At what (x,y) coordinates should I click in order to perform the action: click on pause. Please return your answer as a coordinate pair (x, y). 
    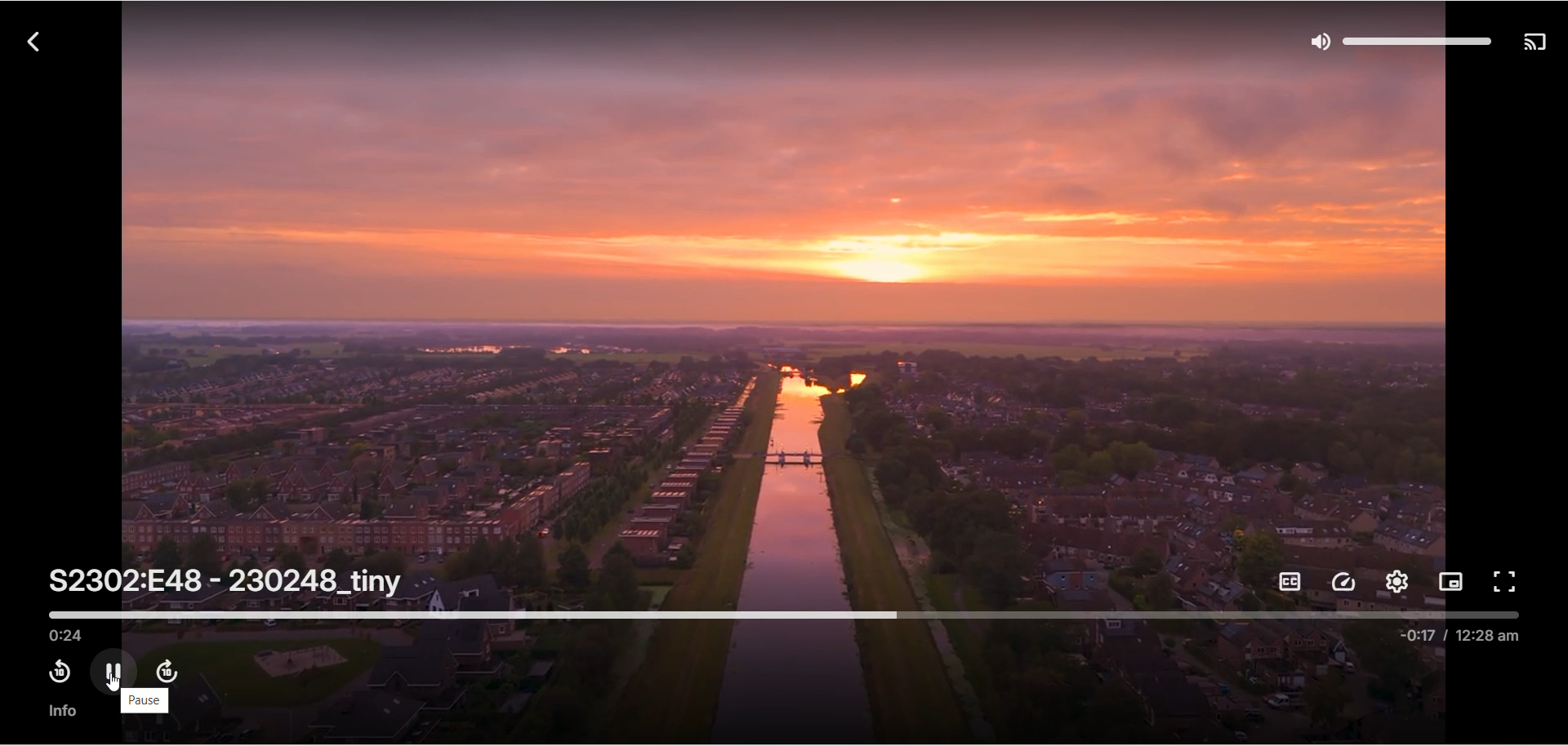
    Looking at the image, I should click on (145, 701).